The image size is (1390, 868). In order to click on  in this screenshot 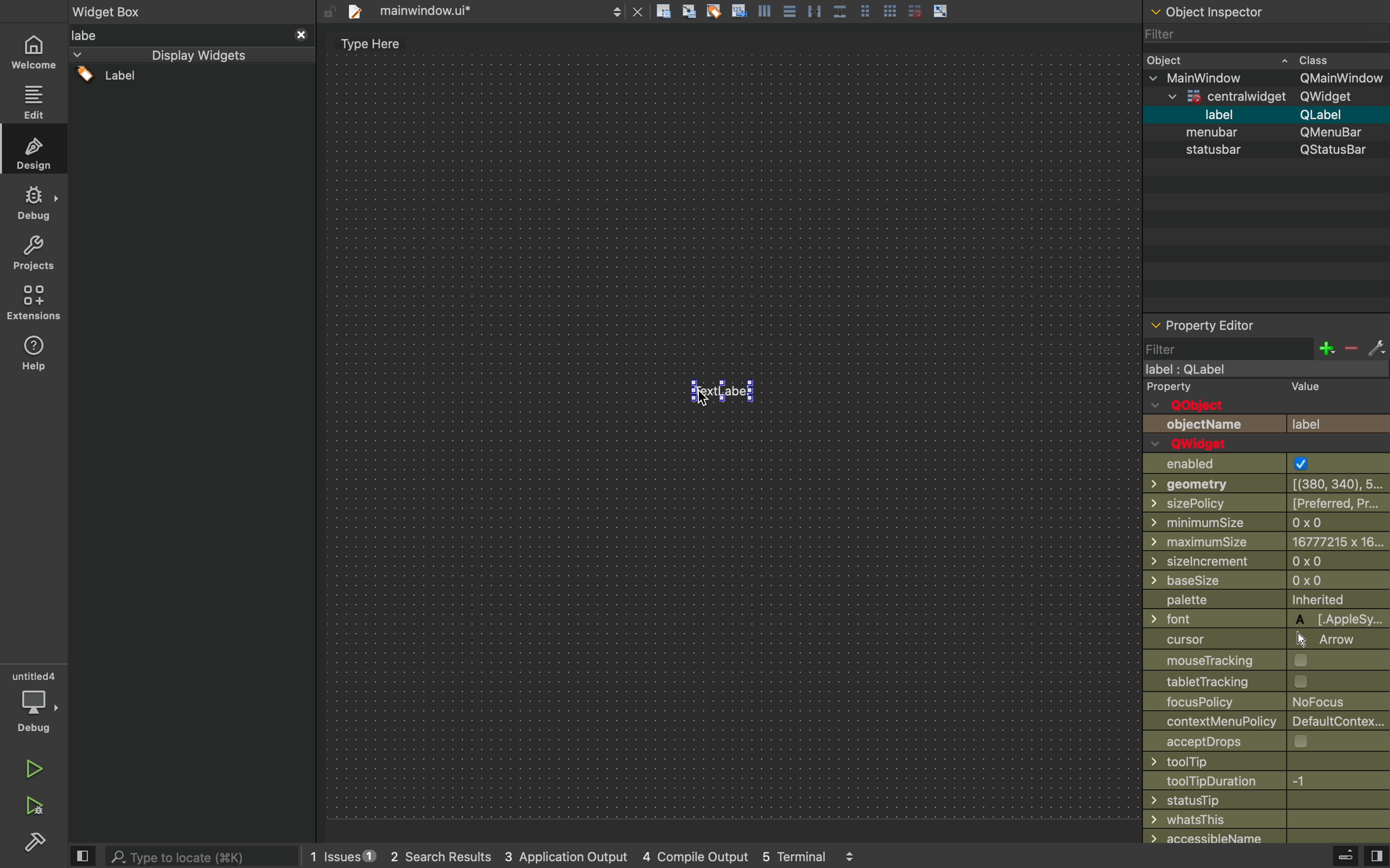, I will do `click(1269, 153)`.